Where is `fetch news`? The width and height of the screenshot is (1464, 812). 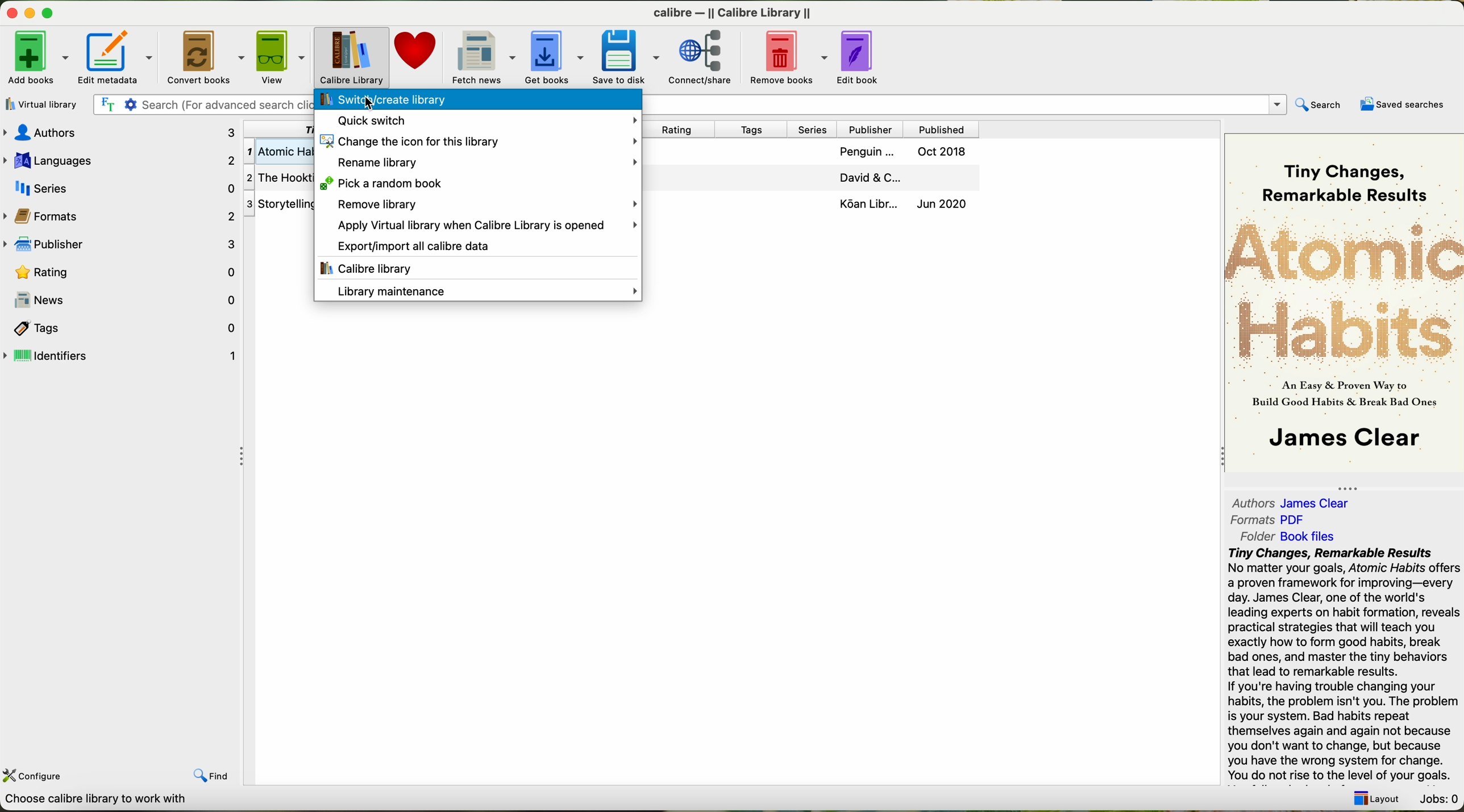
fetch news is located at coordinates (482, 56).